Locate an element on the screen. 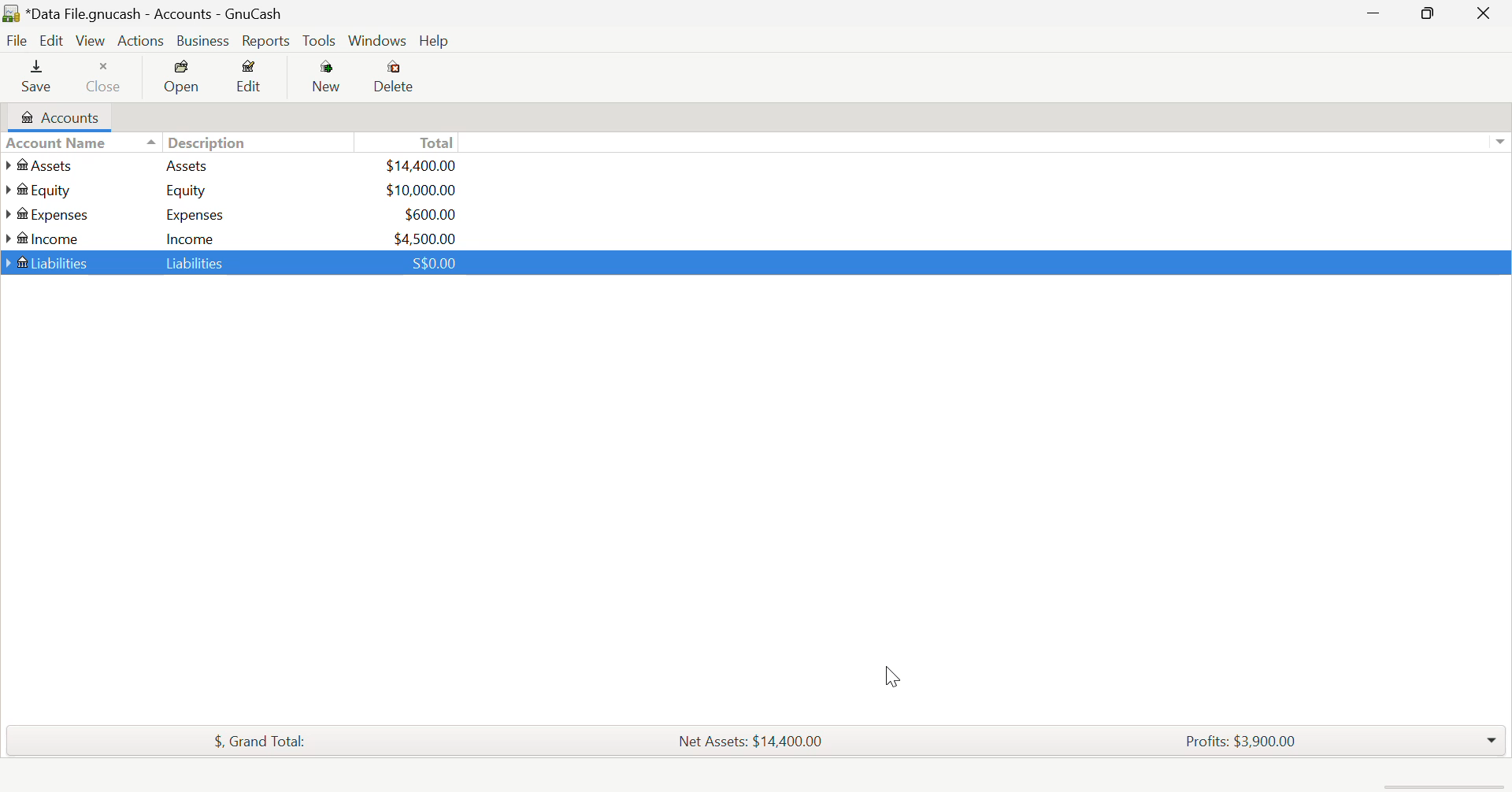  Edit is located at coordinates (250, 80).